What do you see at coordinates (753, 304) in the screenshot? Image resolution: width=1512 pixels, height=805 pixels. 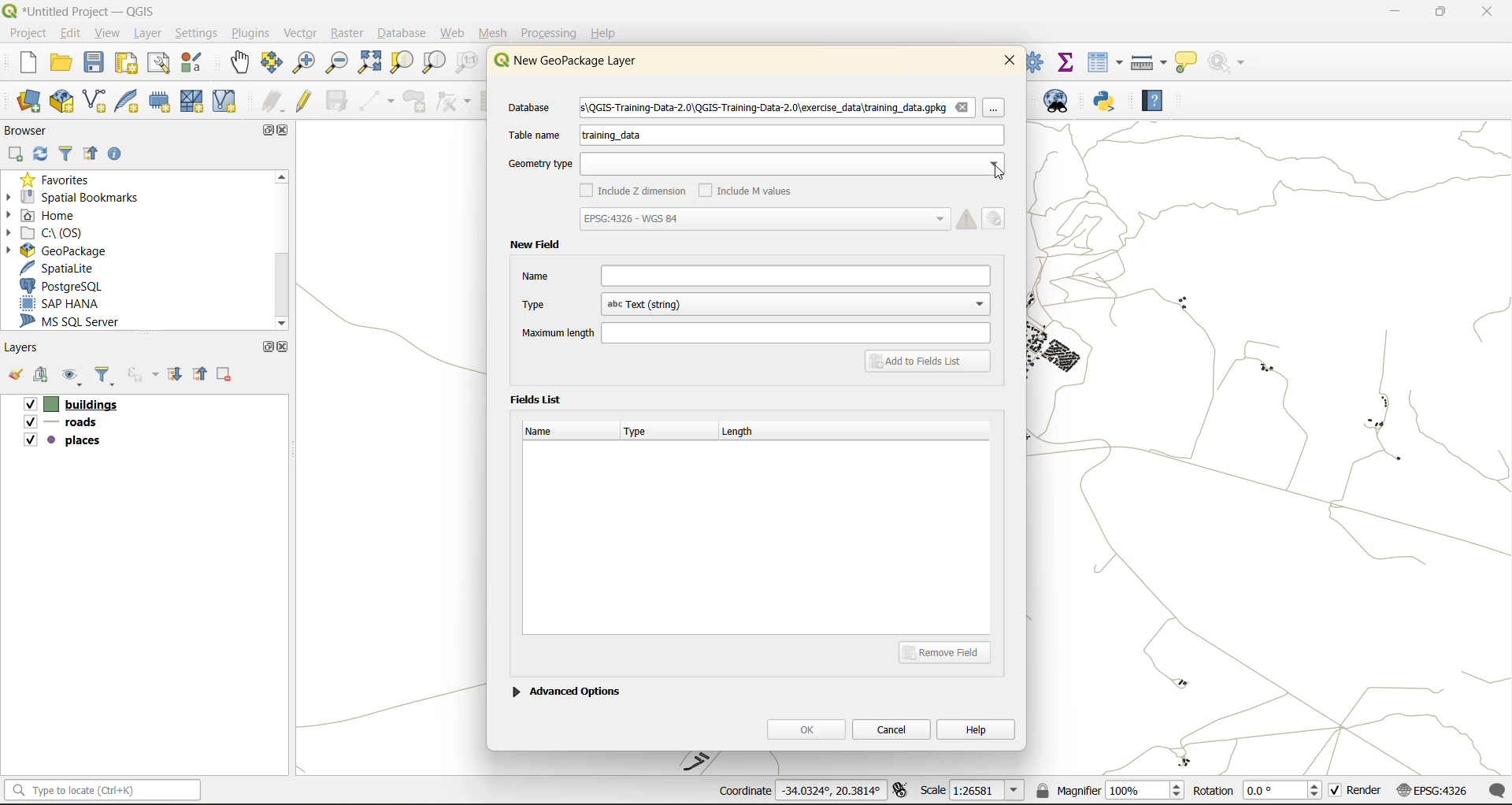 I see `type(text string)` at bounding box center [753, 304].